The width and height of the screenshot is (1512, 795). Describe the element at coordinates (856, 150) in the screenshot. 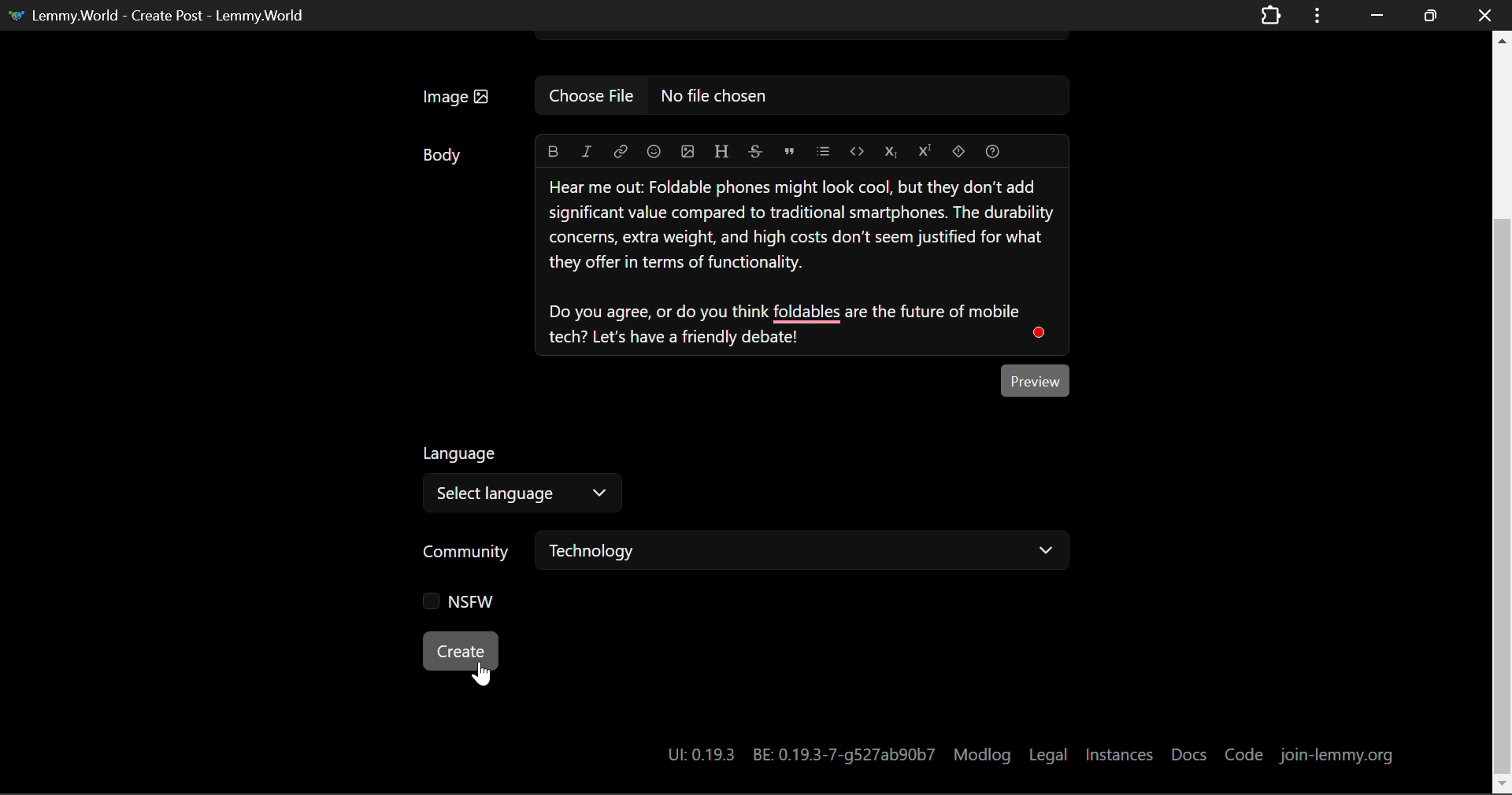

I see `code` at that location.